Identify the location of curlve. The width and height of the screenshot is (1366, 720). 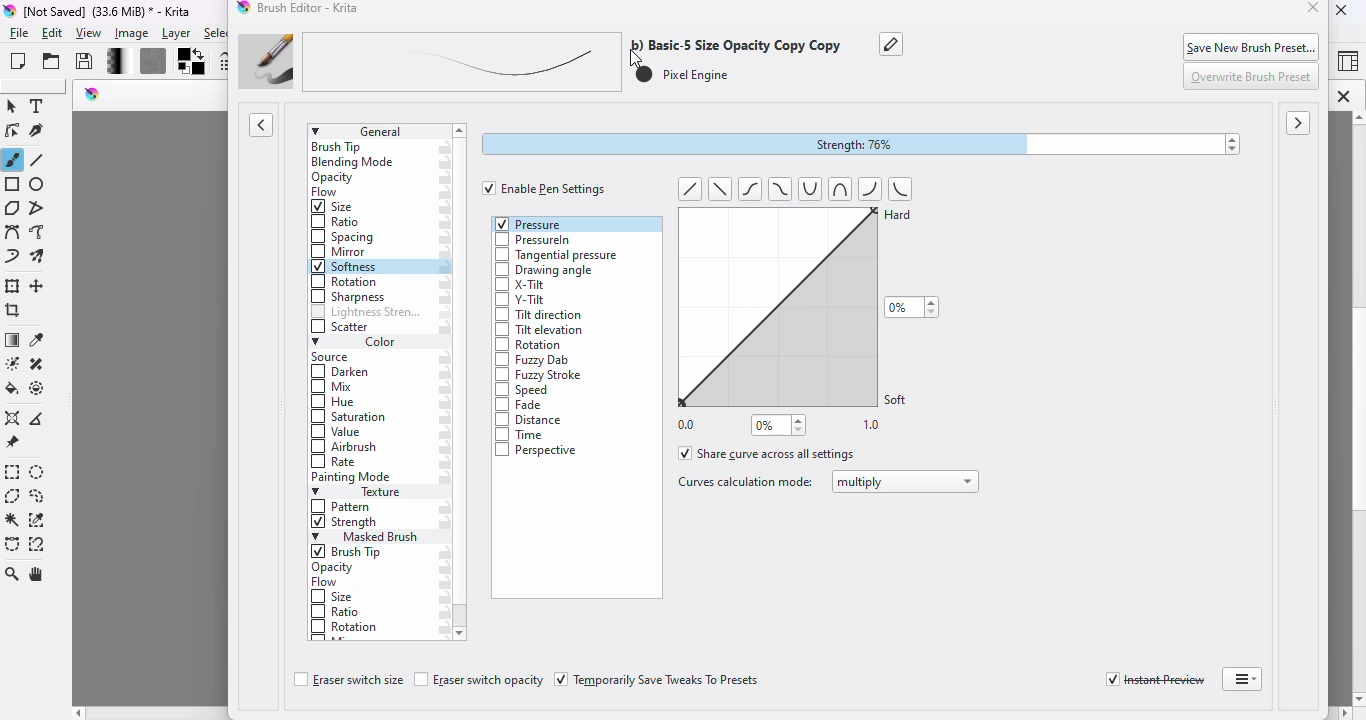
(836, 188).